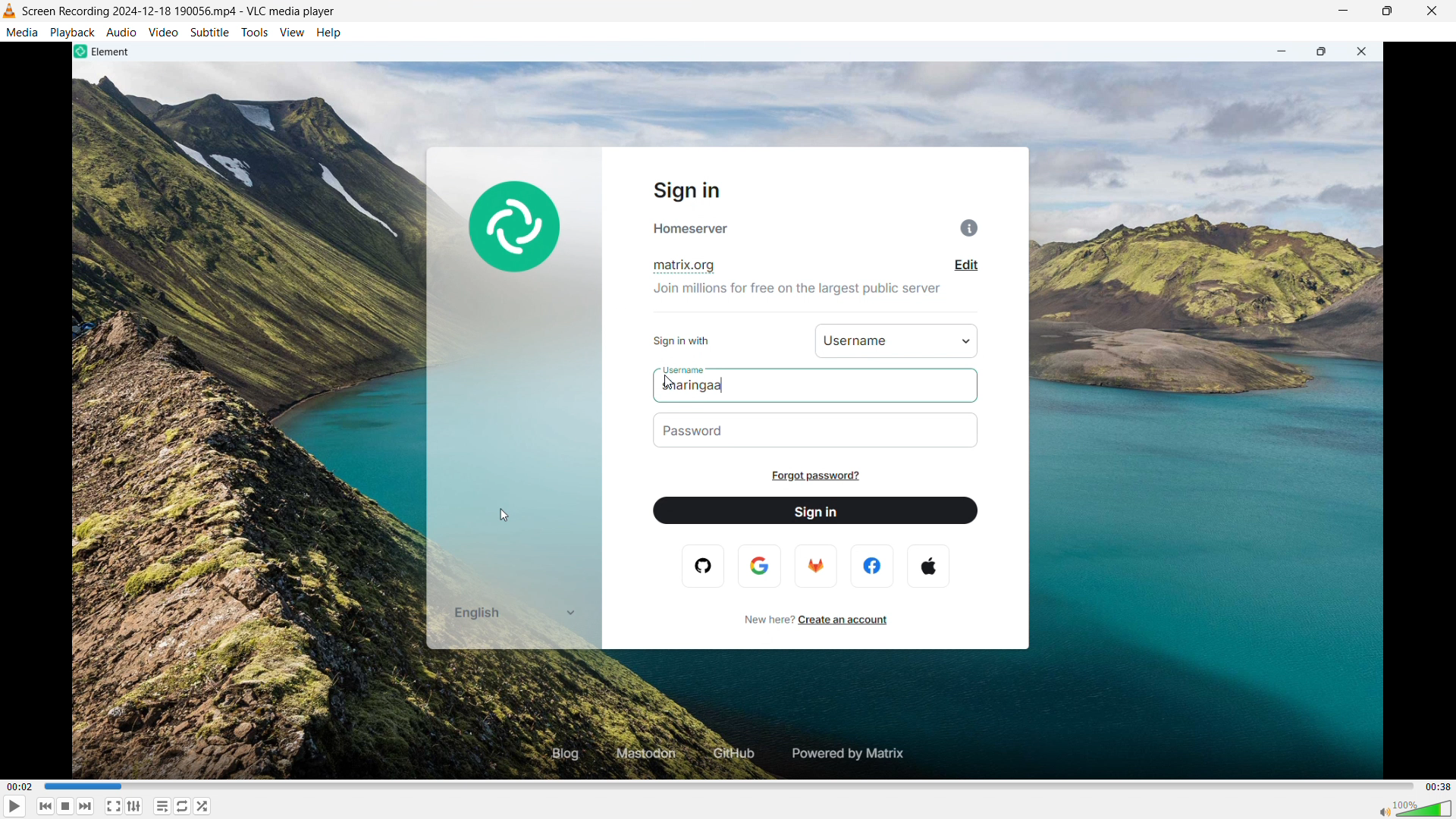  What do you see at coordinates (209, 32) in the screenshot?
I see `subtitle` at bounding box center [209, 32].